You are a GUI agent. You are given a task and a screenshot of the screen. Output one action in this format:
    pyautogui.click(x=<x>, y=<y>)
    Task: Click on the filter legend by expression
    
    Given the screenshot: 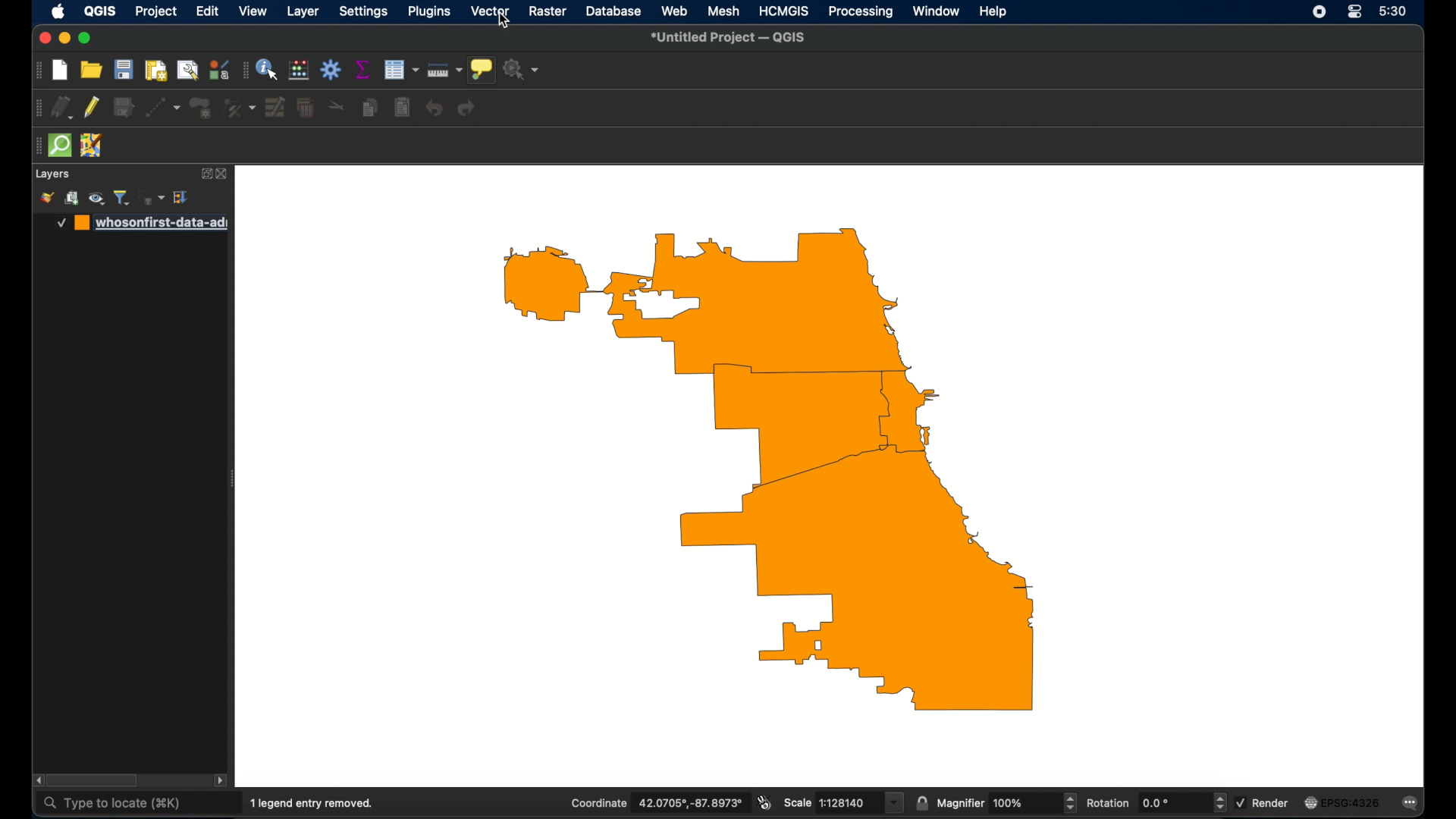 What is the action you would take?
    pyautogui.click(x=152, y=198)
    